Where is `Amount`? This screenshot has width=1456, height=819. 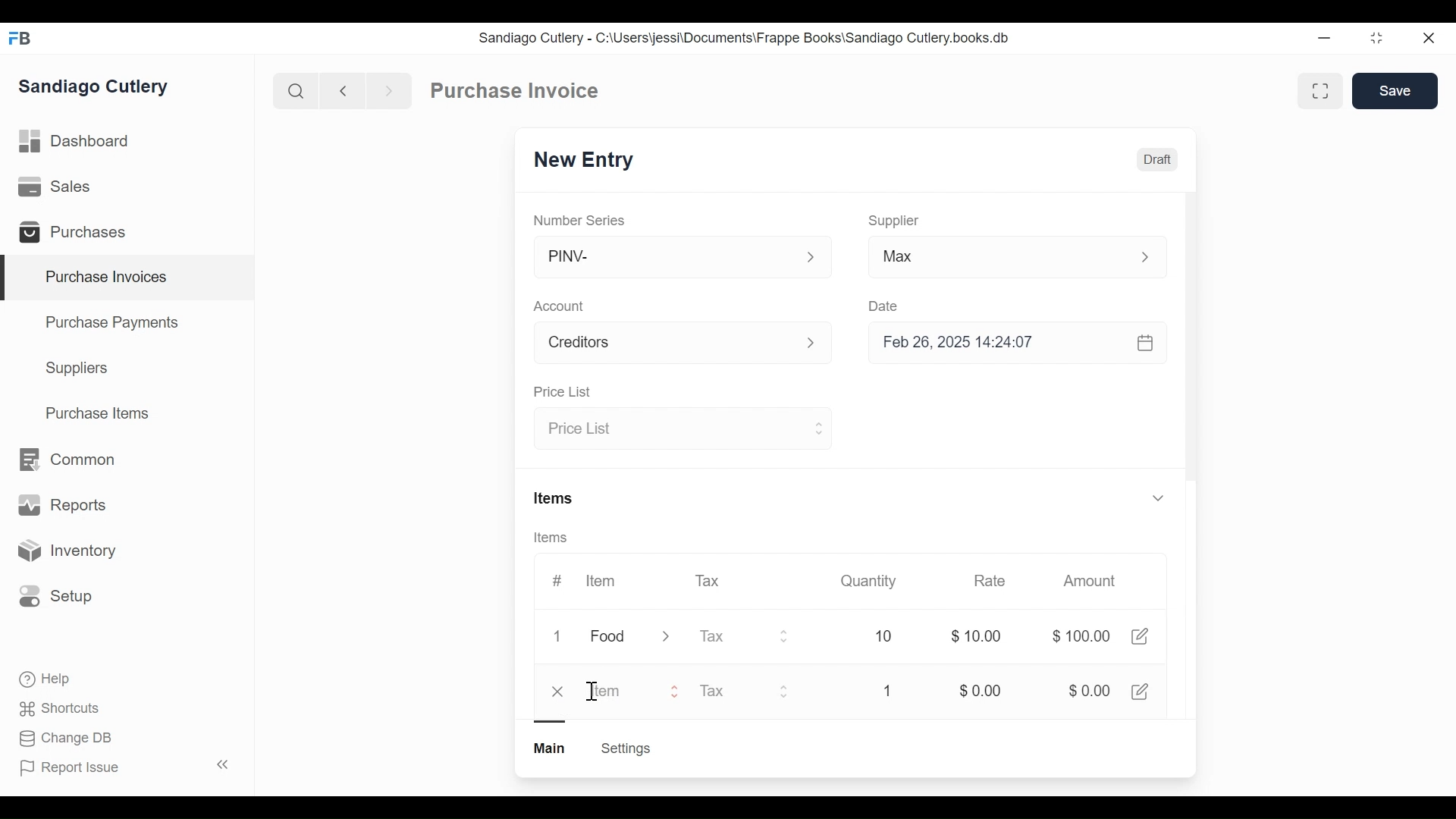 Amount is located at coordinates (1093, 582).